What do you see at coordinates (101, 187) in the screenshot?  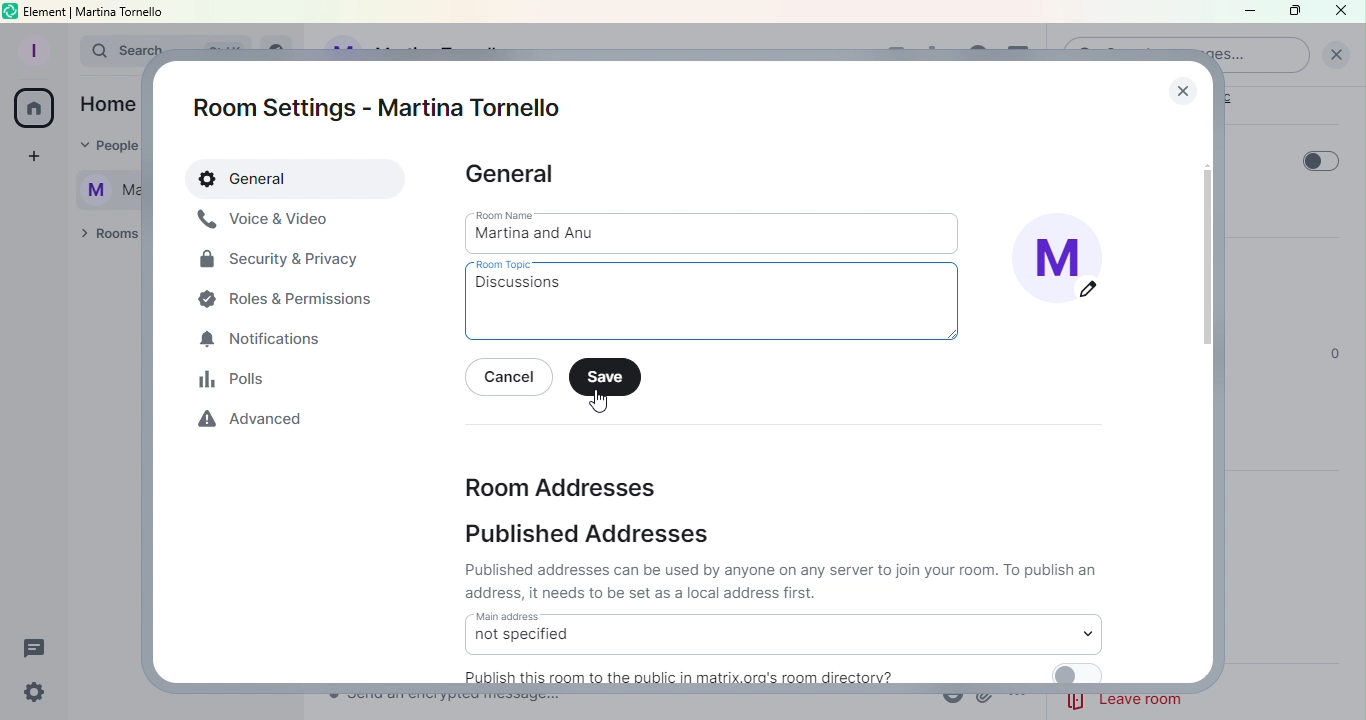 I see `Martina Tornello` at bounding box center [101, 187].